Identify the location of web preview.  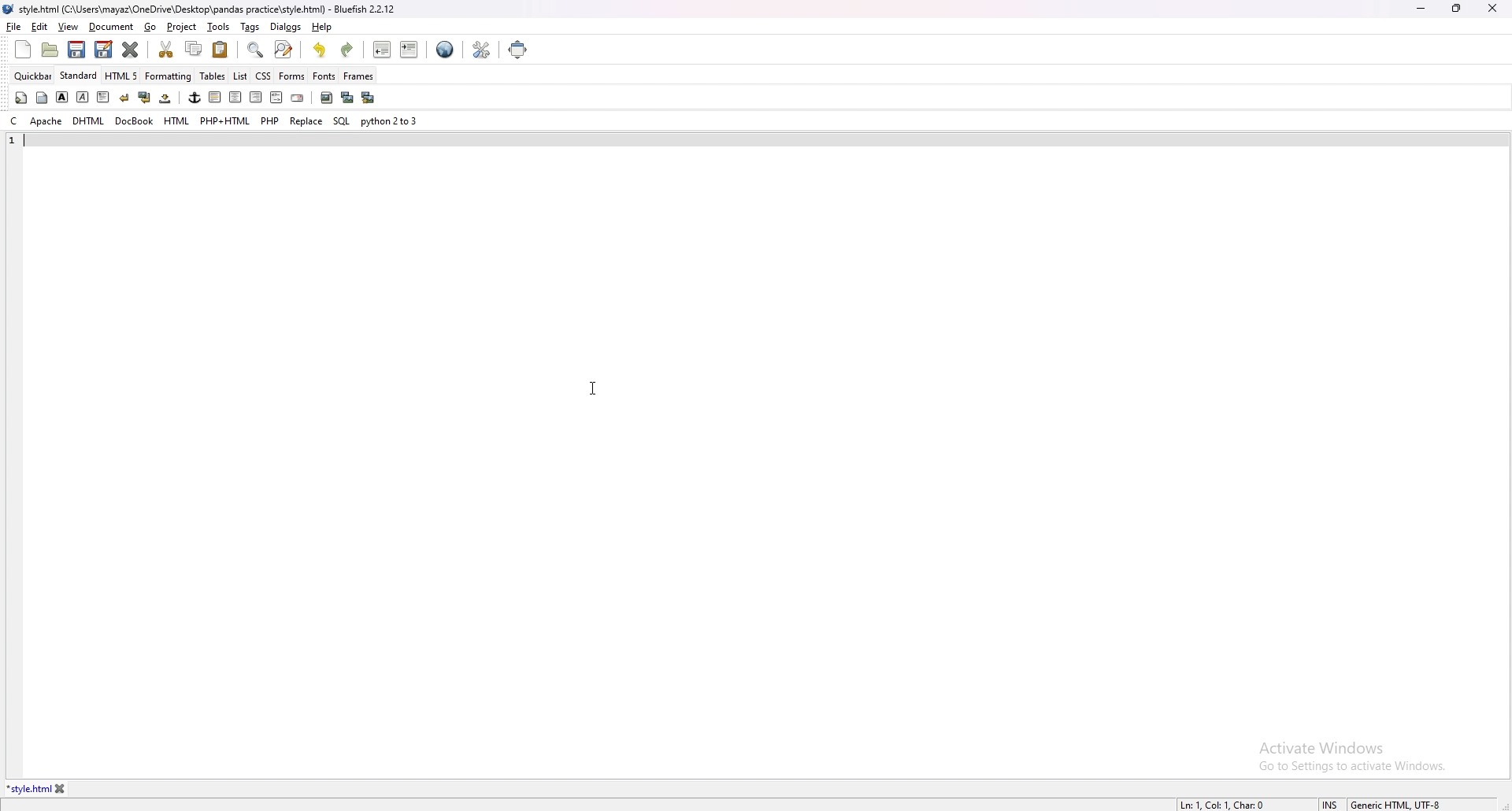
(445, 47).